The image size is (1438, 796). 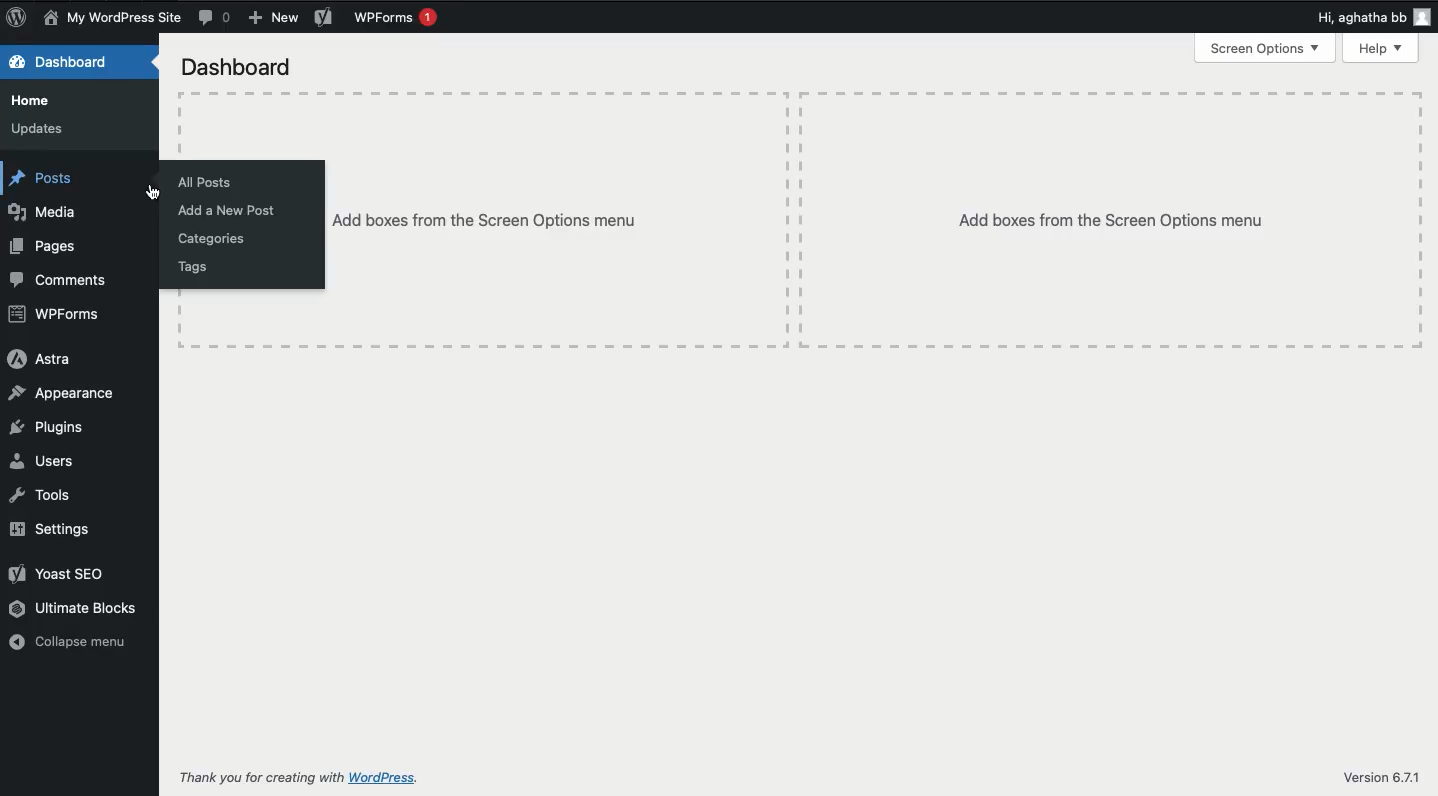 What do you see at coordinates (45, 495) in the screenshot?
I see `Tools` at bounding box center [45, 495].